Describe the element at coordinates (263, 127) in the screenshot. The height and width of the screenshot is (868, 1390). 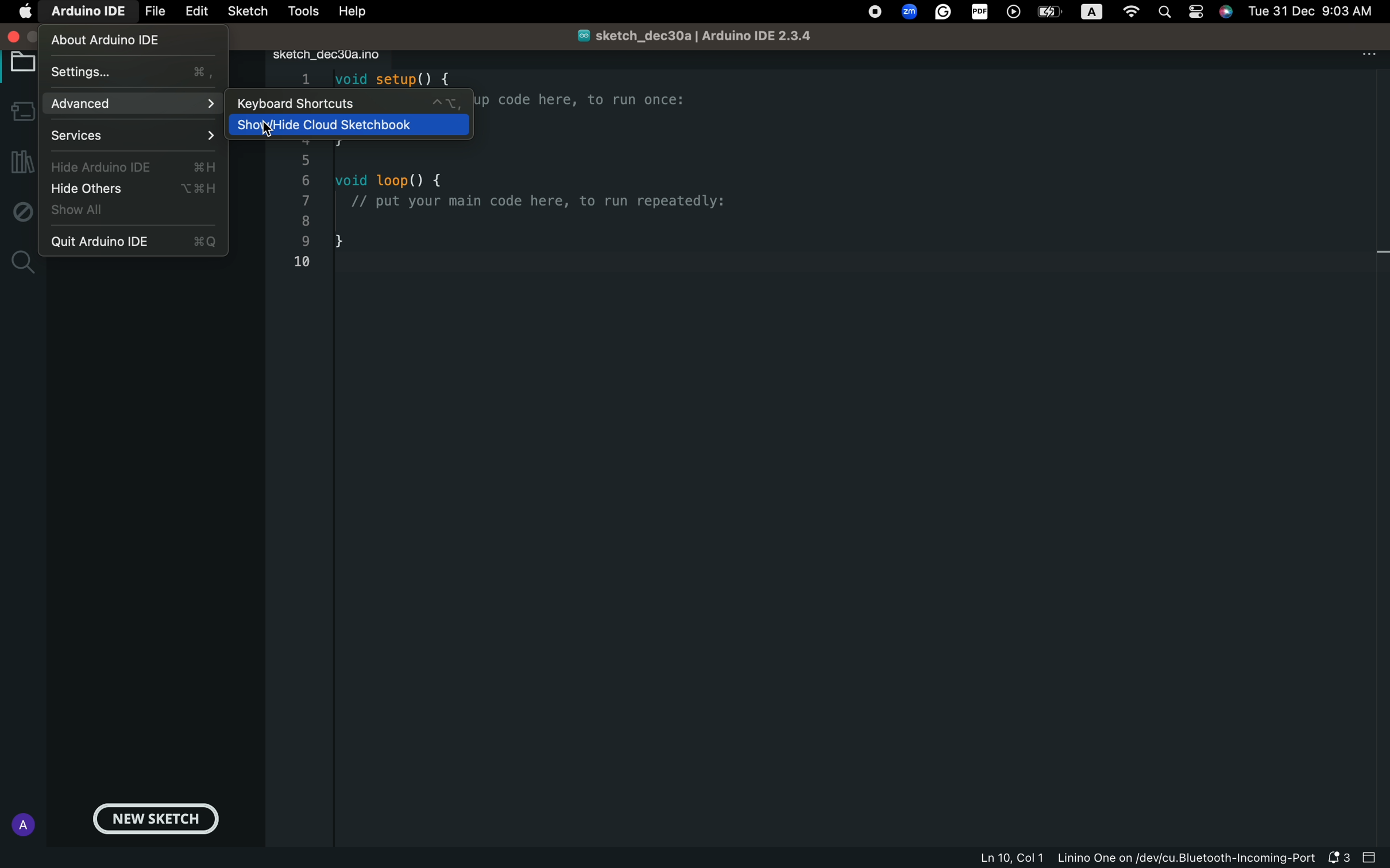
I see `show hide cloud` at that location.